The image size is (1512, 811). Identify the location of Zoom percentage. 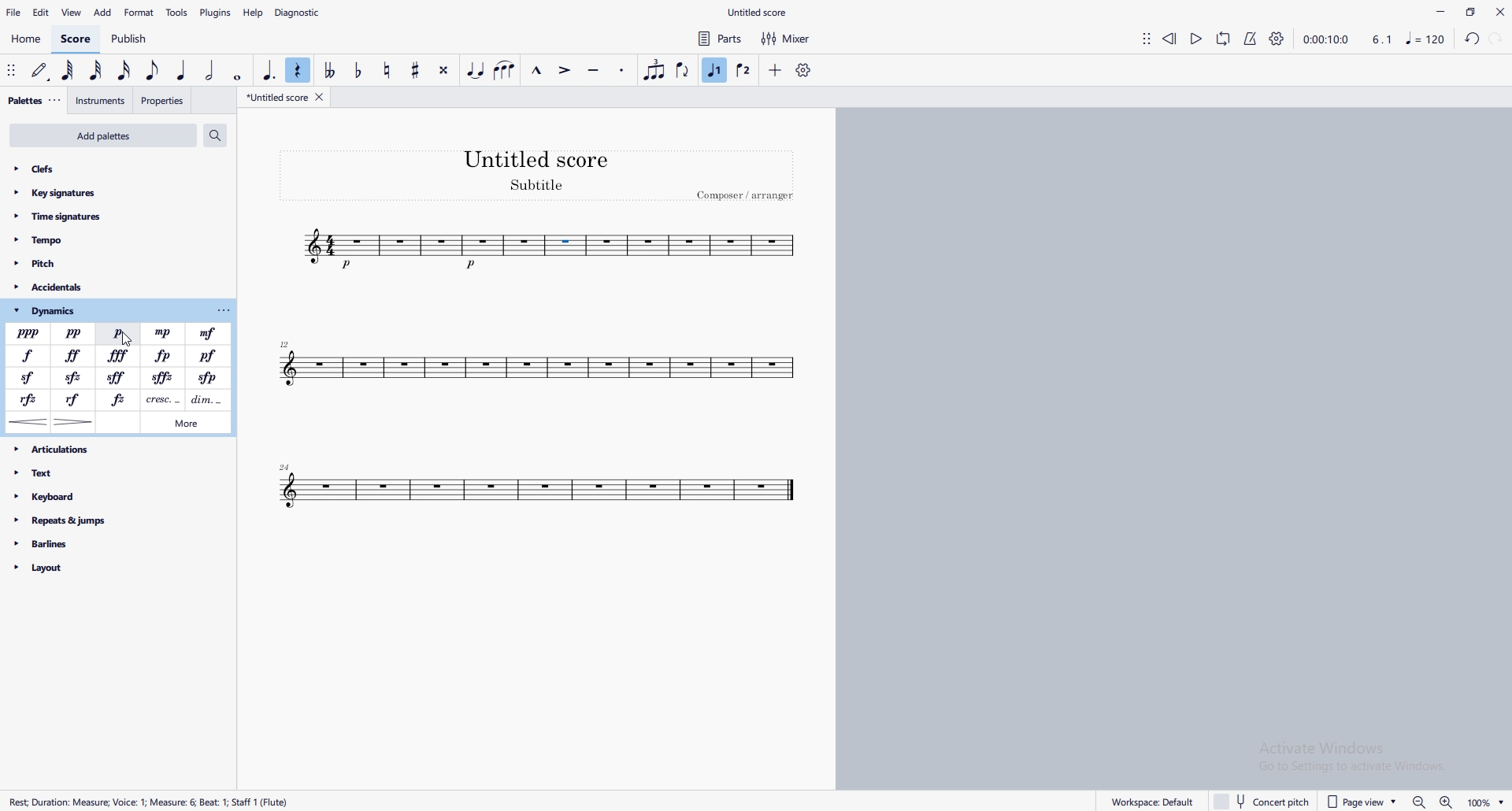
(1488, 802).